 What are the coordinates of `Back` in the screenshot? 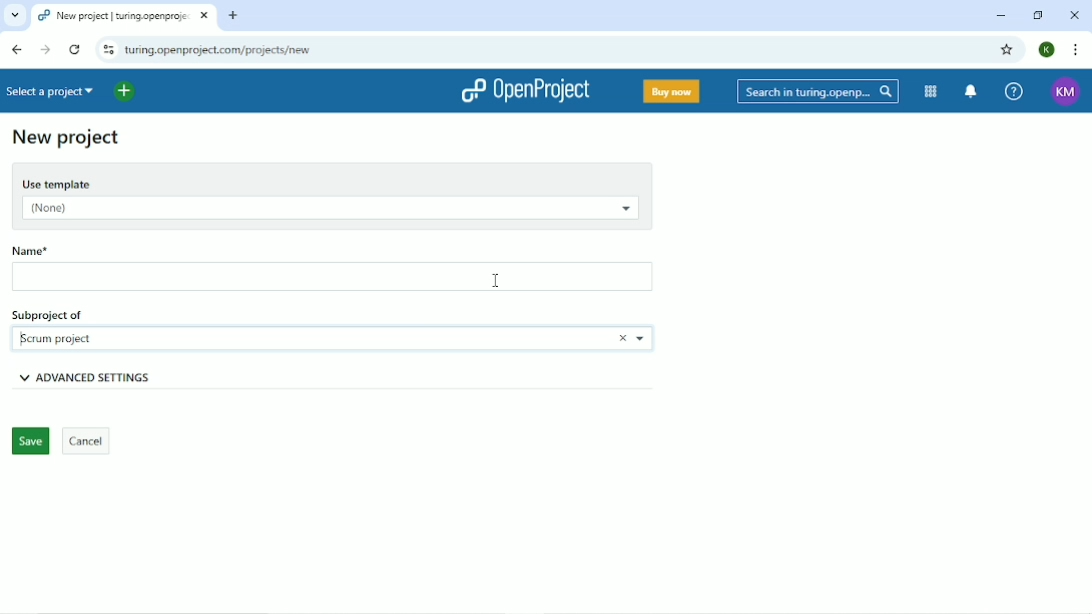 It's located at (17, 49).